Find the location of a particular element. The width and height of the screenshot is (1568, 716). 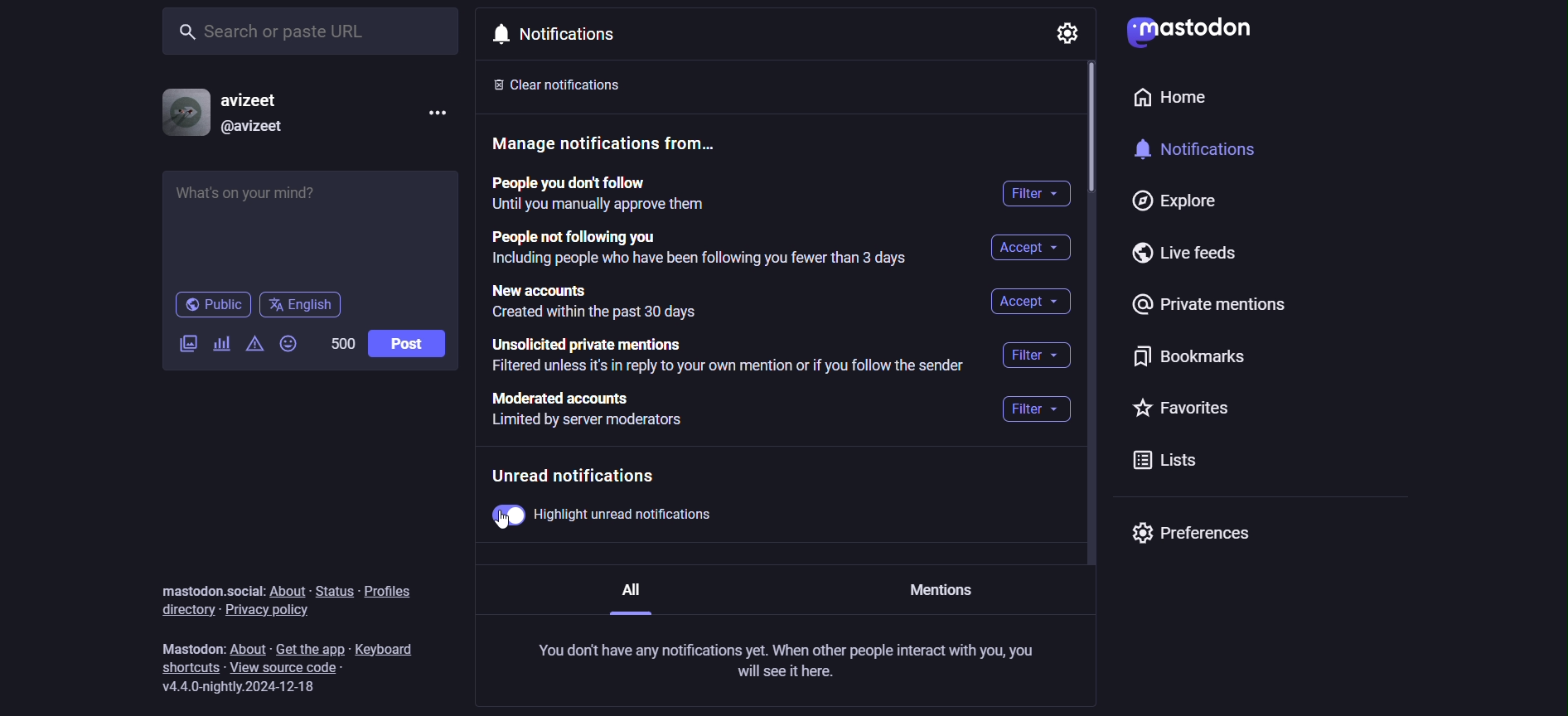

people you dont follow is located at coordinates (598, 196).